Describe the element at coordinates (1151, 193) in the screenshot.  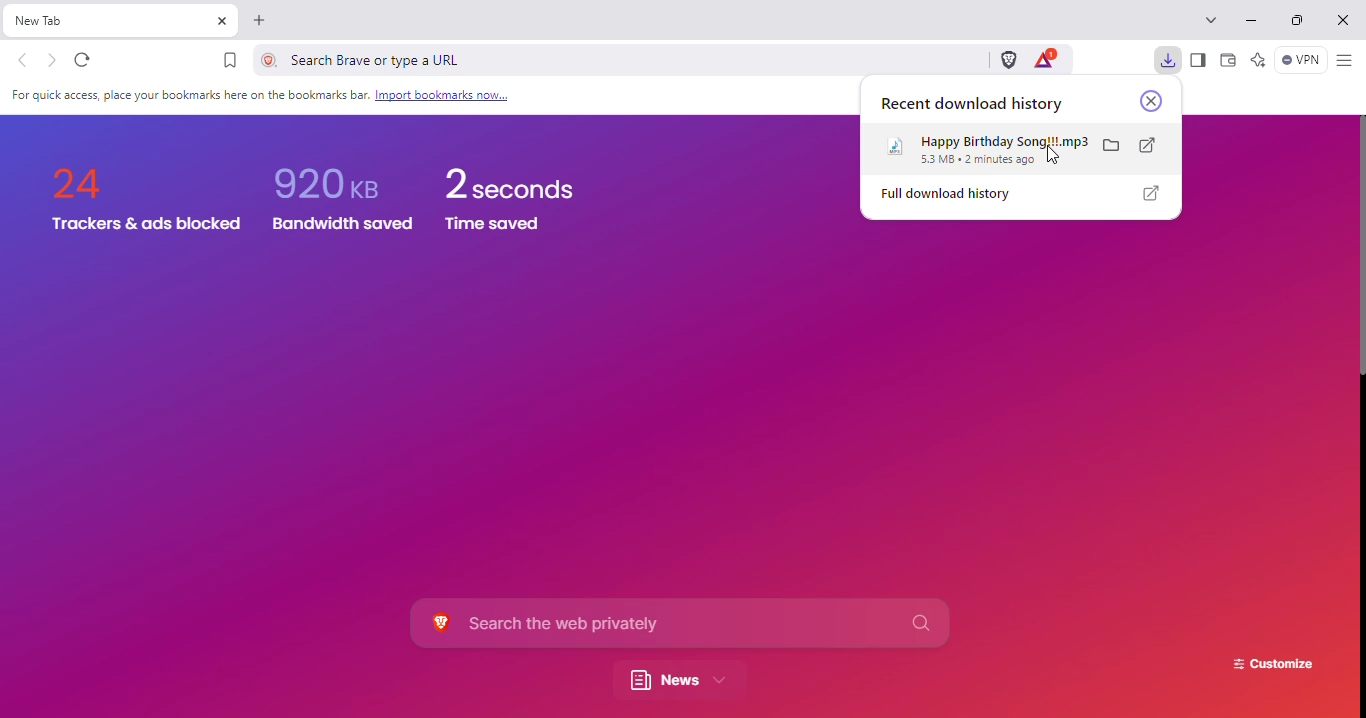
I see `show full download history in a new tab` at that location.